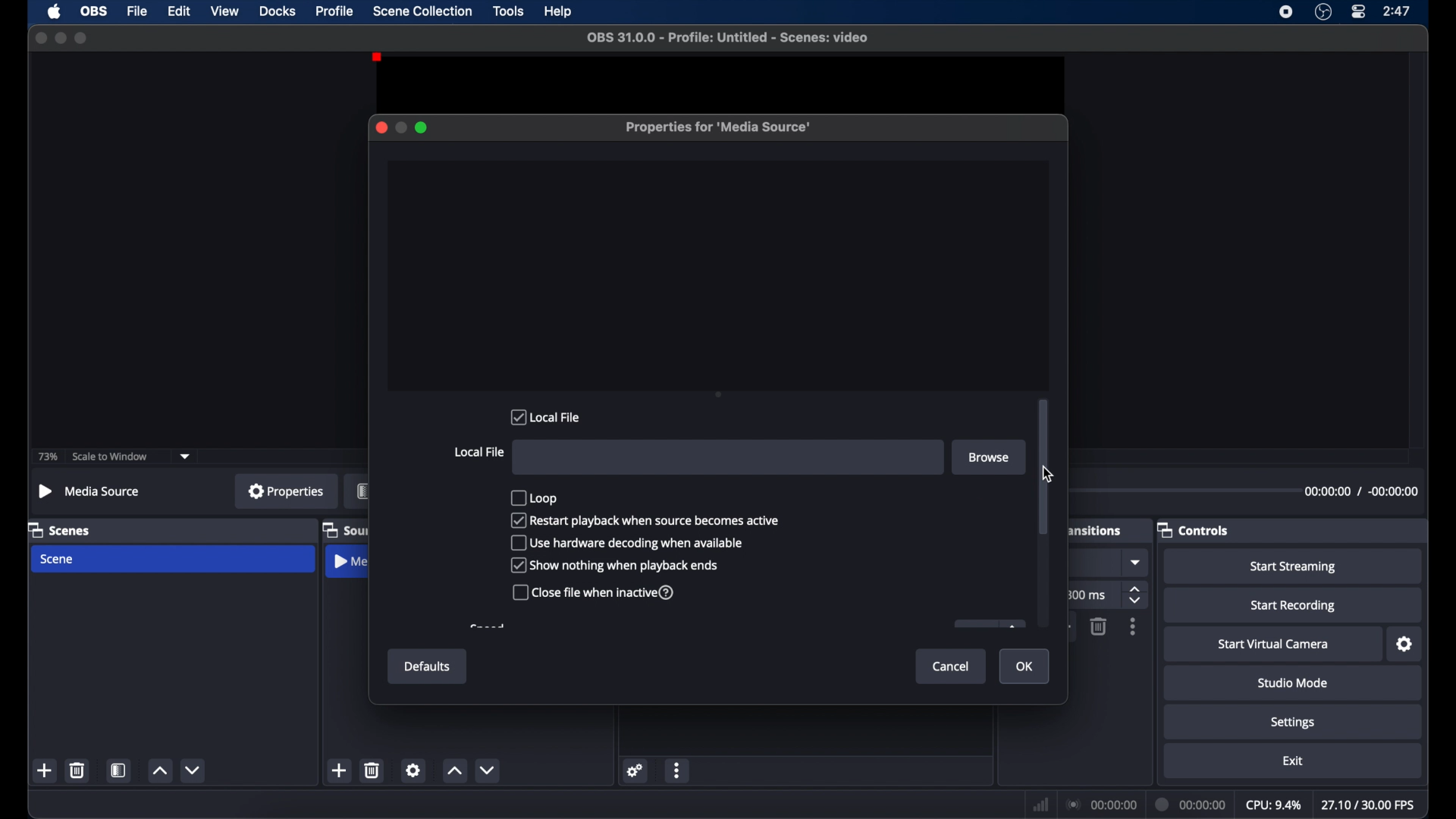 The height and width of the screenshot is (819, 1456). I want to click on checkbox, so click(614, 566).